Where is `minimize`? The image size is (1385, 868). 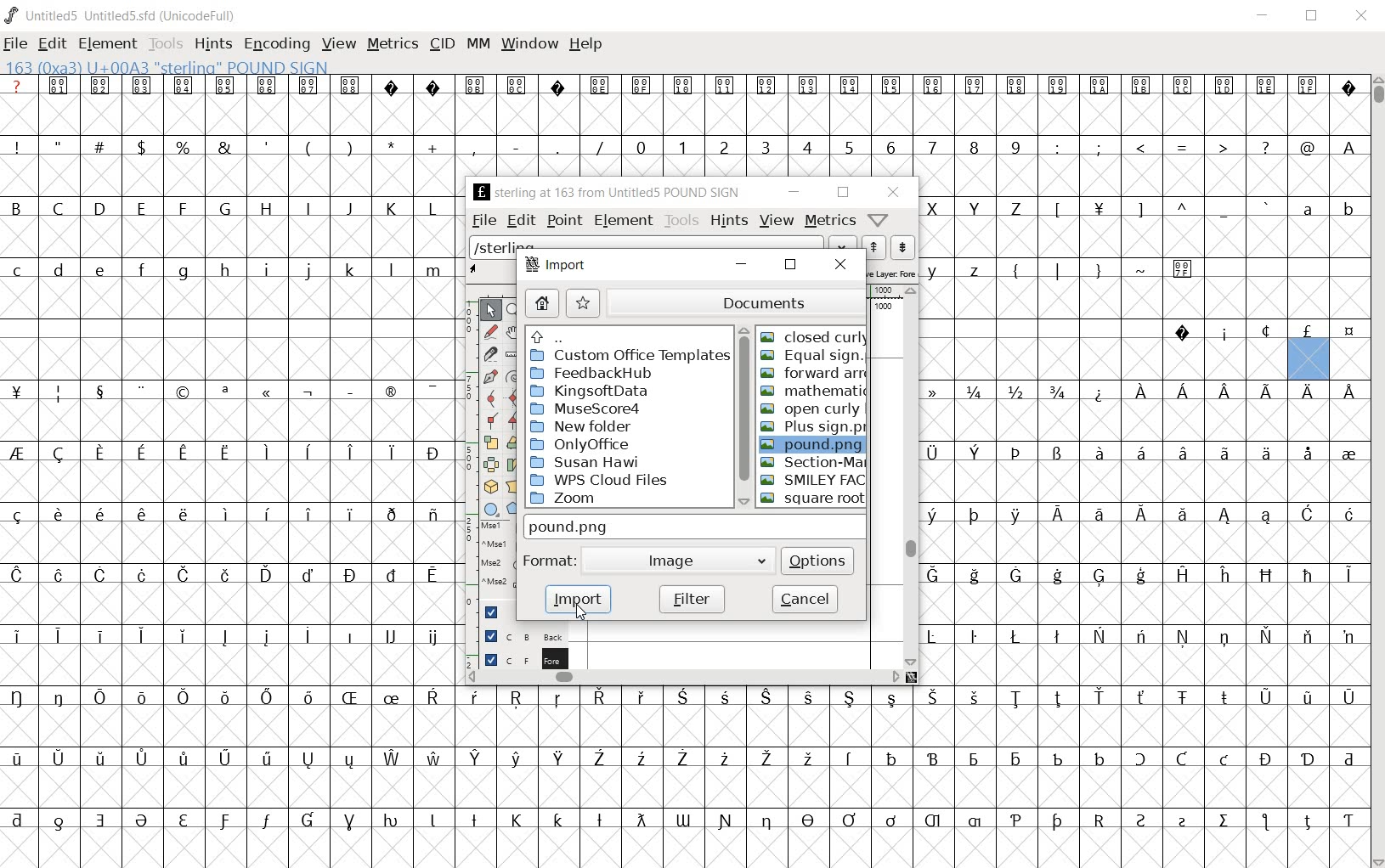 minimize is located at coordinates (1266, 17).